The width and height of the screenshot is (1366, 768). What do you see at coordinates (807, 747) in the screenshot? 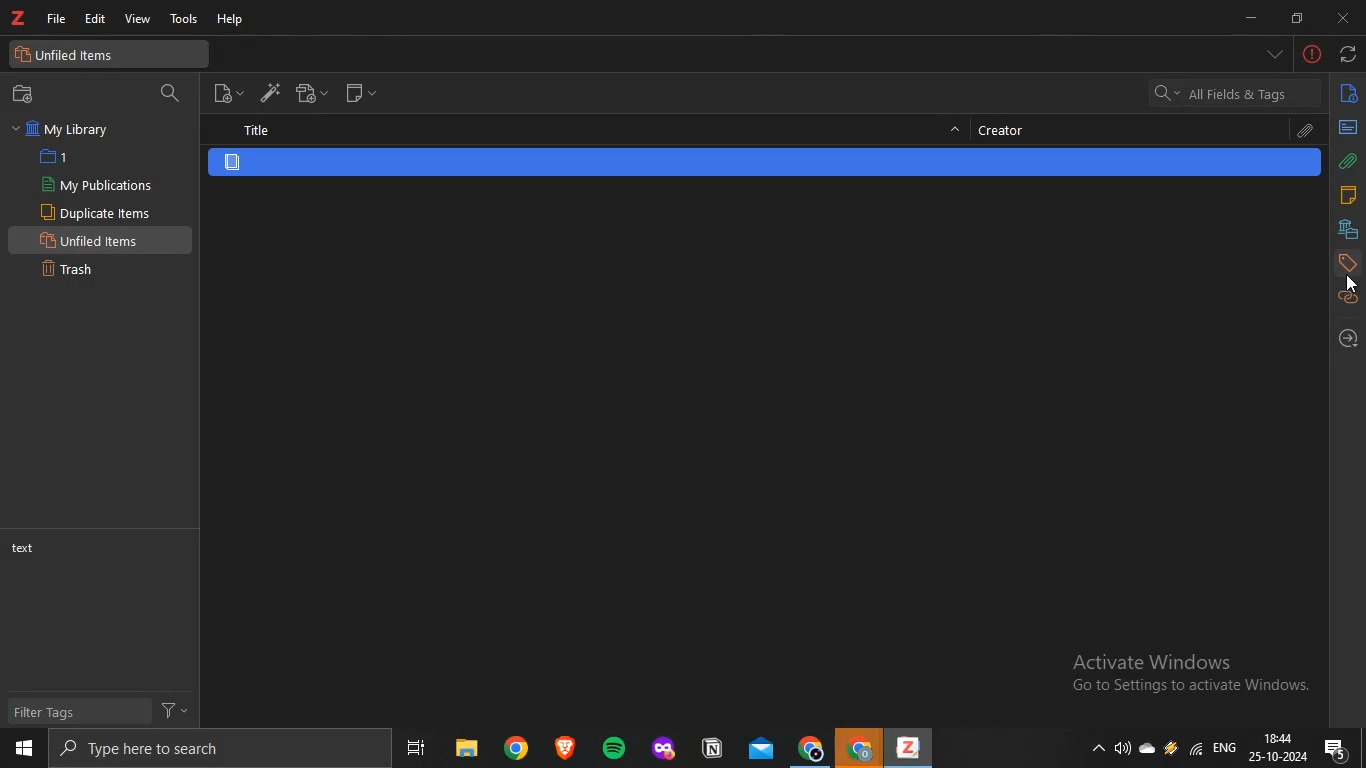
I see `chrome` at bounding box center [807, 747].